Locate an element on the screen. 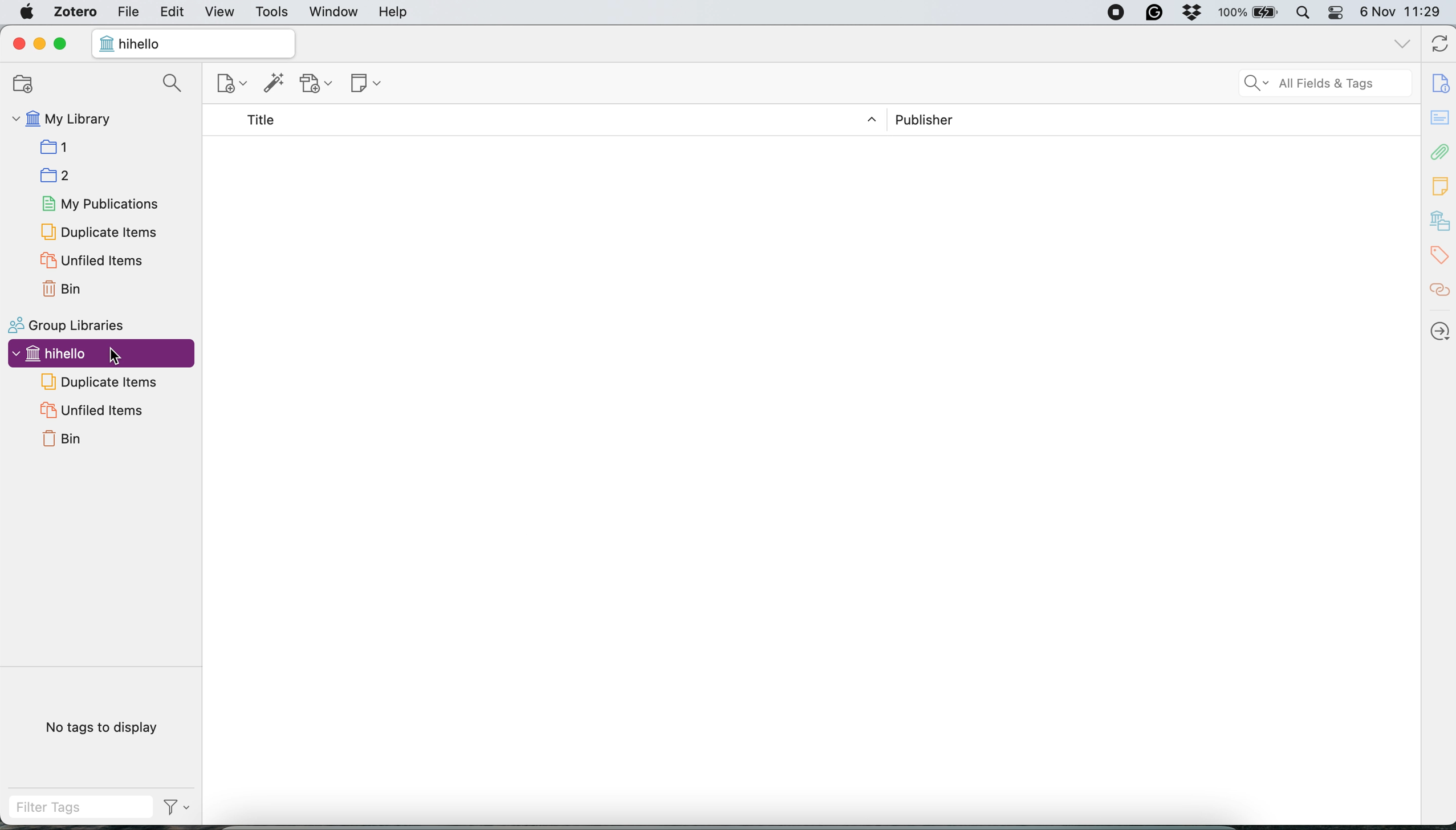 This screenshot has height=830, width=1456. Next is located at coordinates (1439, 326).